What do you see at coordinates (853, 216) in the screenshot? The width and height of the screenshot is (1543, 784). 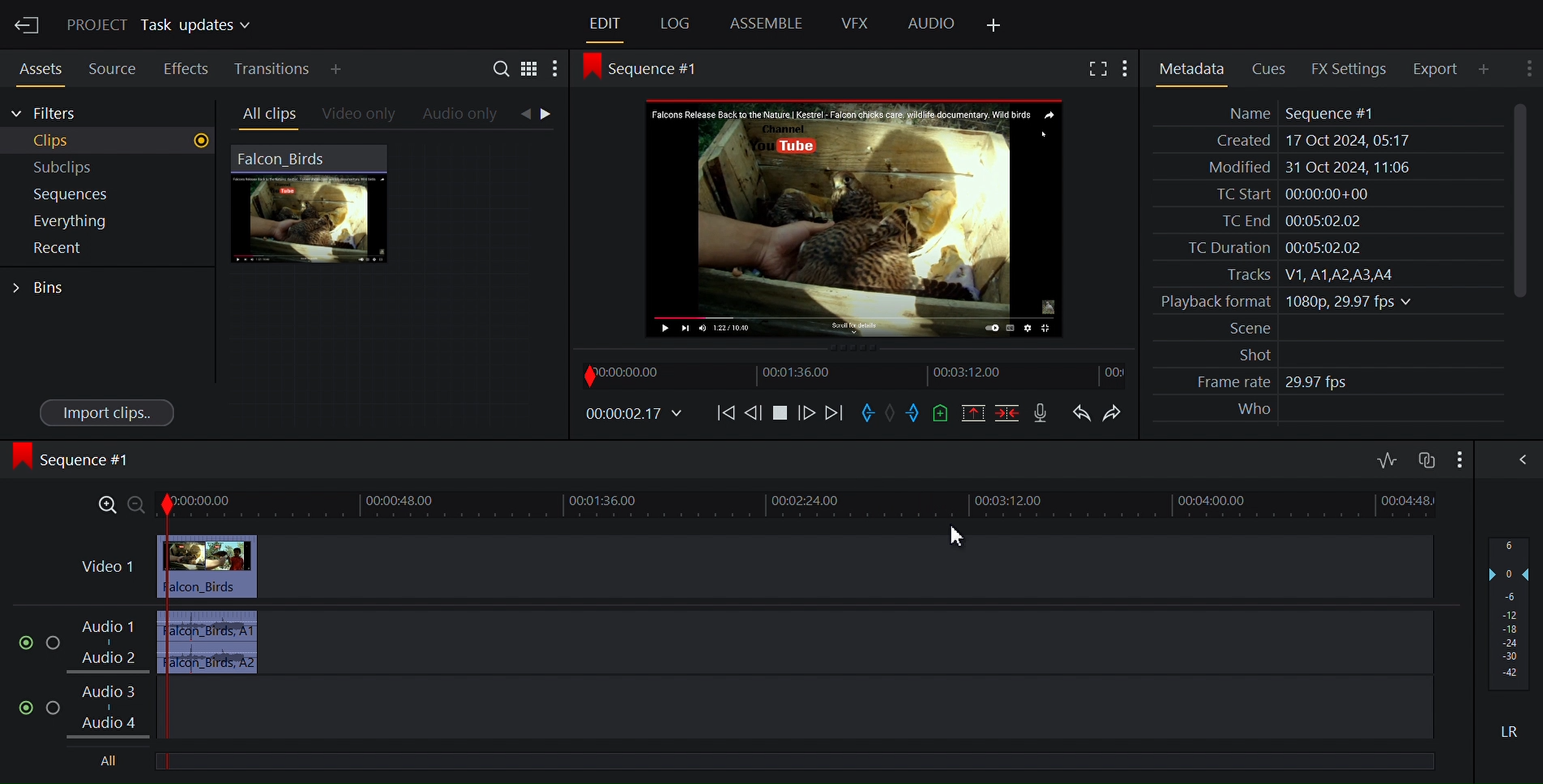 I see `Media Viewer` at bounding box center [853, 216].